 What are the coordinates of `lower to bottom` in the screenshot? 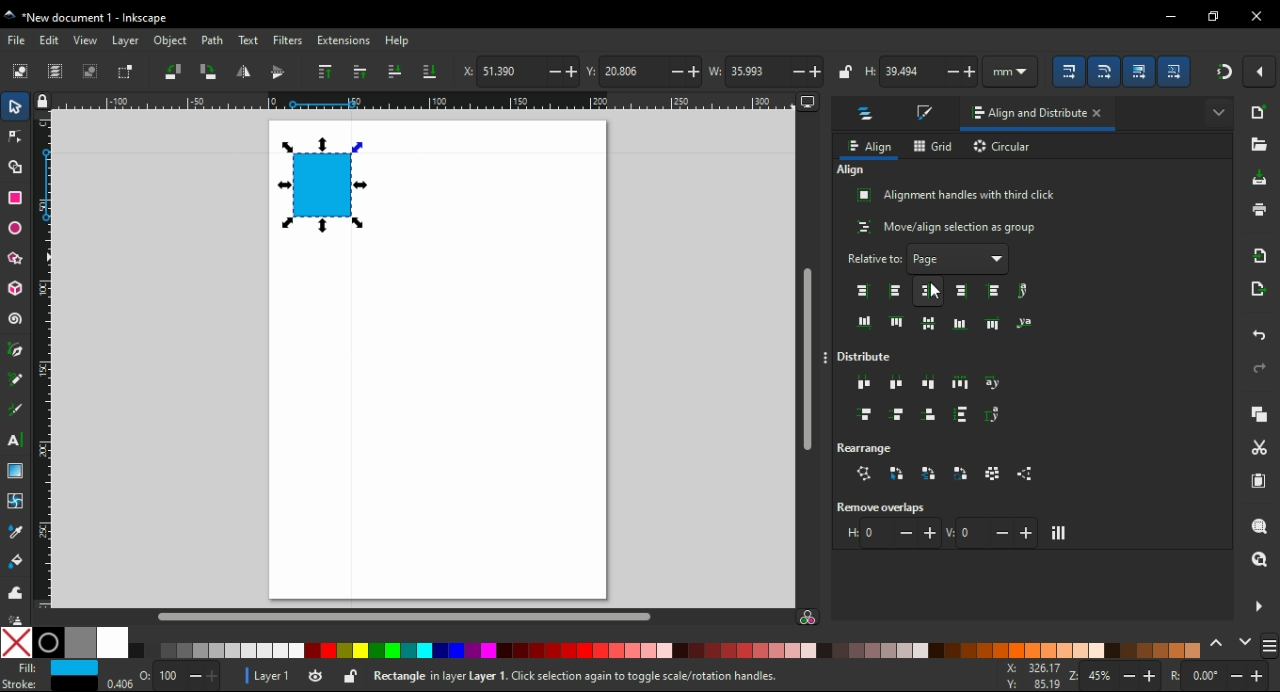 It's located at (430, 71).